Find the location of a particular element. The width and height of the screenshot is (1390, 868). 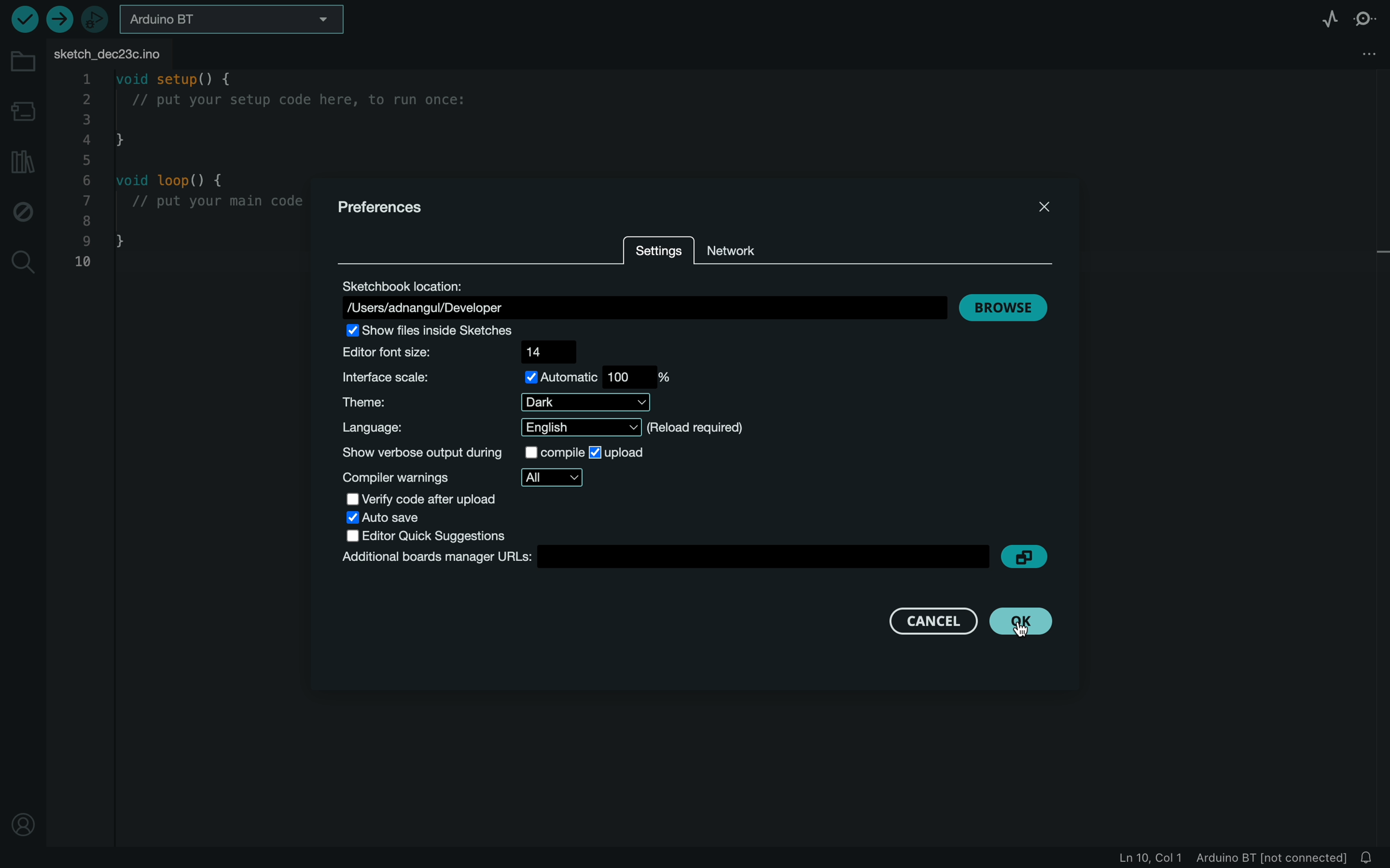

search is located at coordinates (24, 261).